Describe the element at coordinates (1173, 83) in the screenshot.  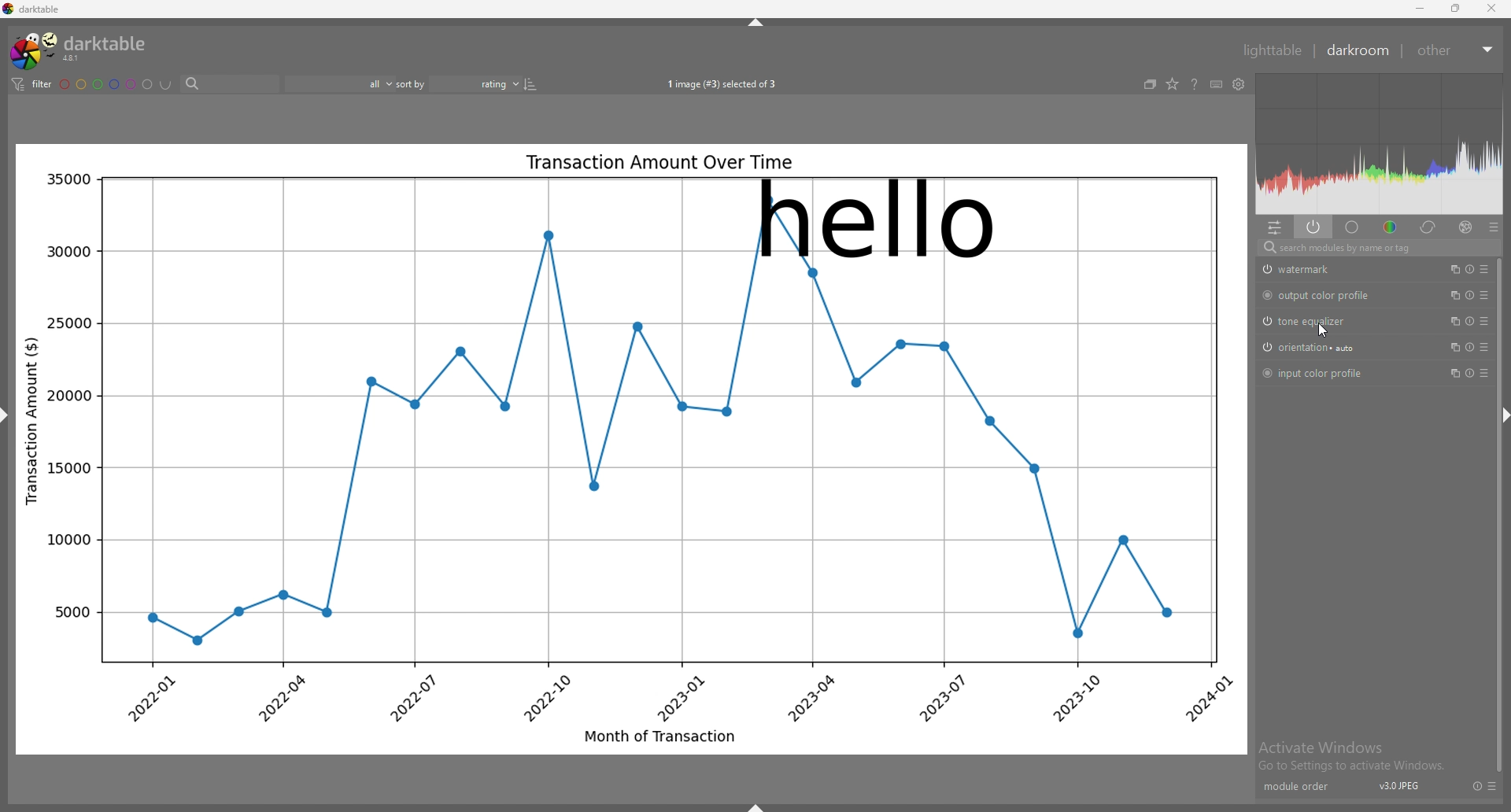
I see `change type of overlays` at that location.